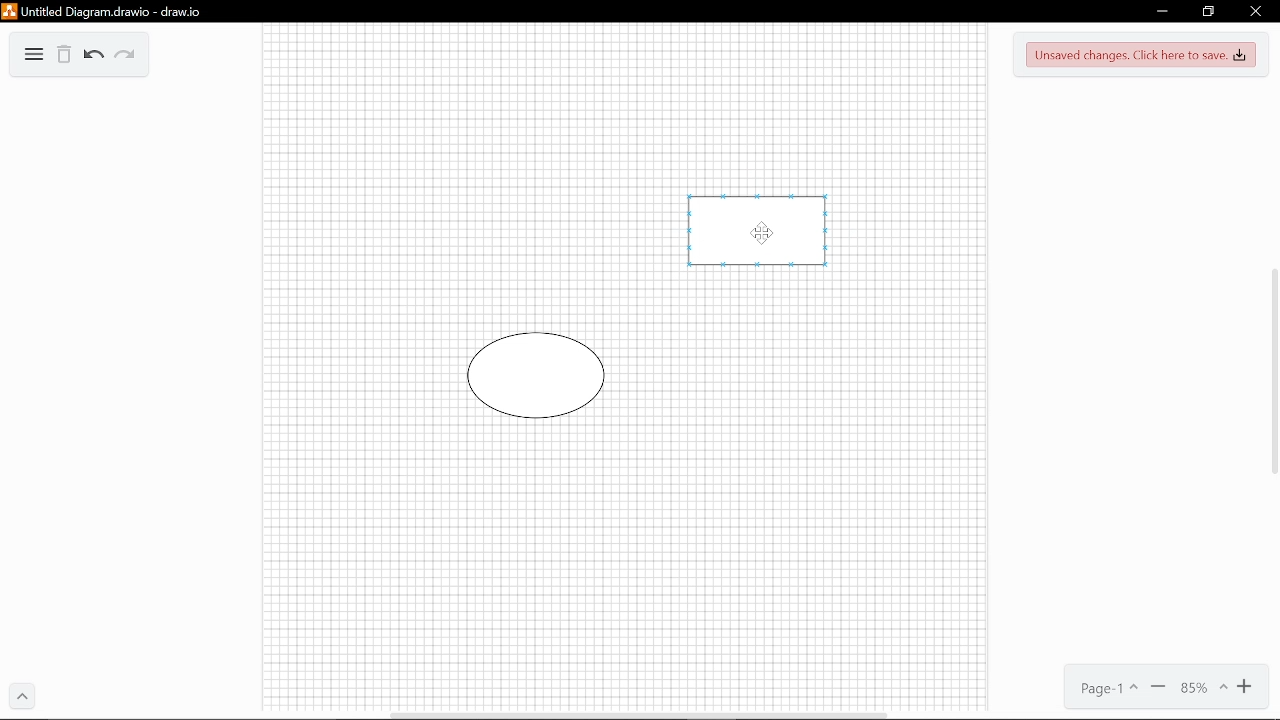 The width and height of the screenshot is (1280, 720). What do you see at coordinates (1248, 690) in the screenshot?
I see `Zoom in` at bounding box center [1248, 690].